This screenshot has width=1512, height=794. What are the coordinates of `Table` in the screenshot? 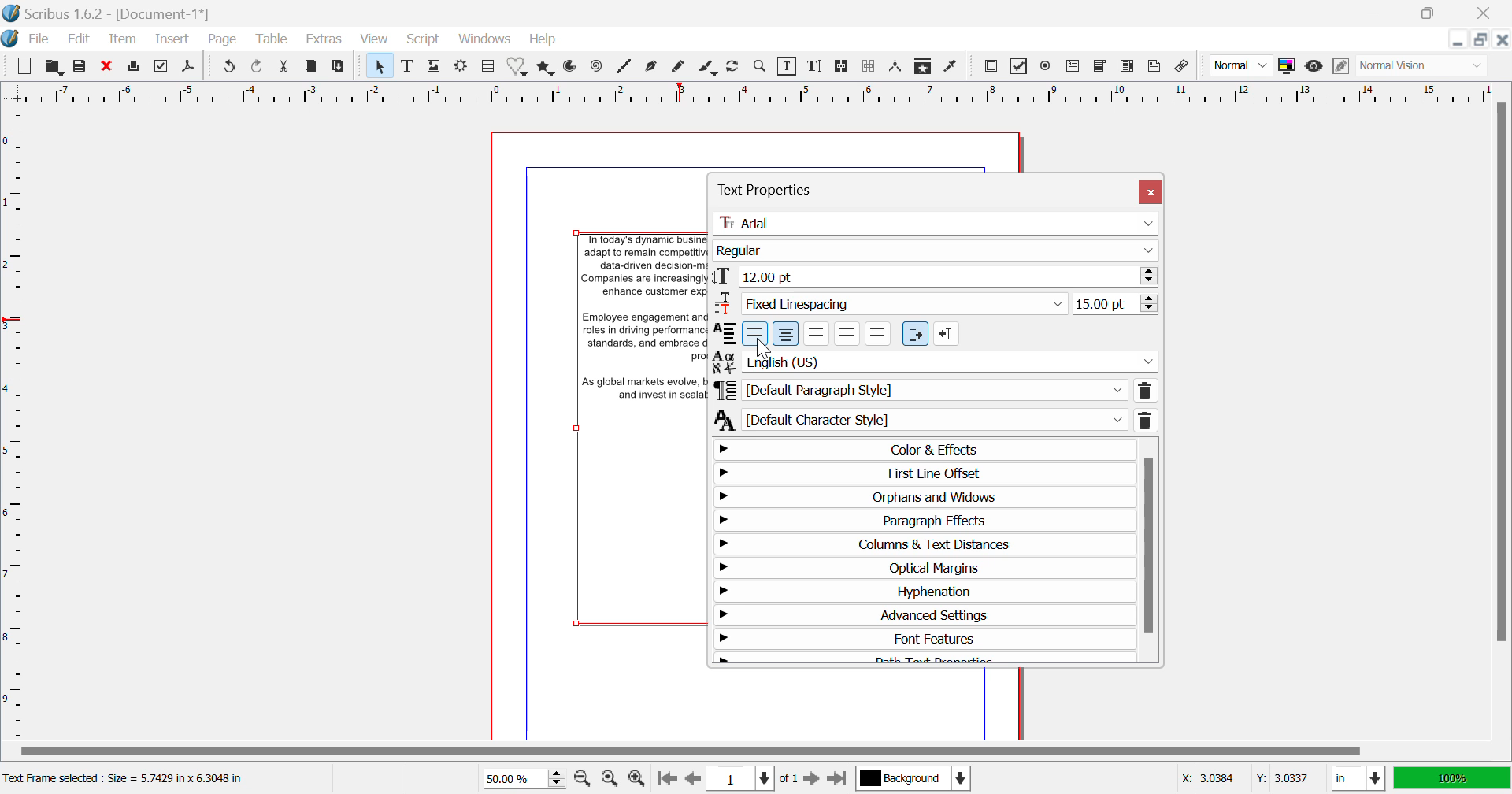 It's located at (272, 40).